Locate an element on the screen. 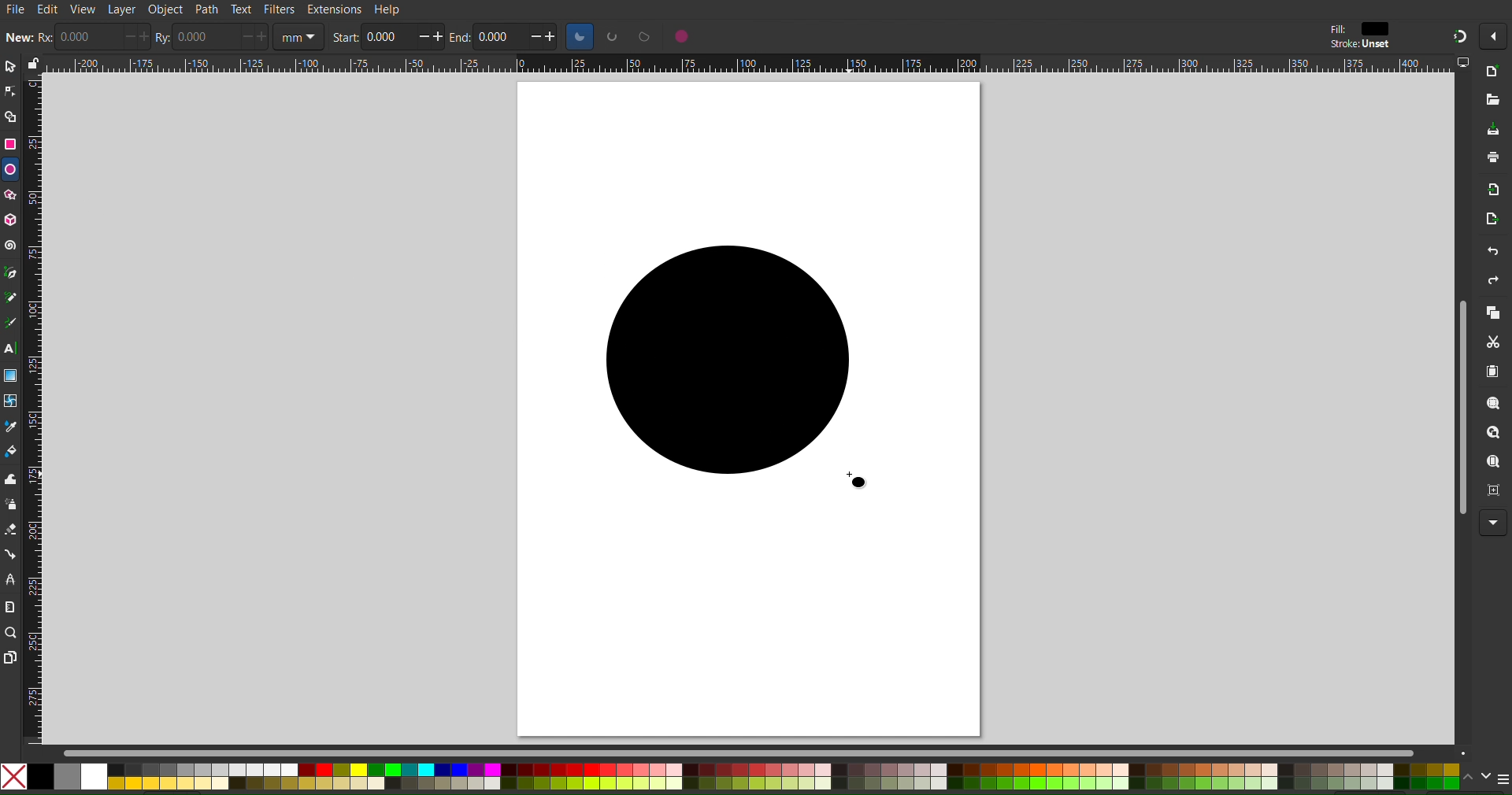 The width and height of the screenshot is (1512, 795). Measure Tool is located at coordinates (10, 606).